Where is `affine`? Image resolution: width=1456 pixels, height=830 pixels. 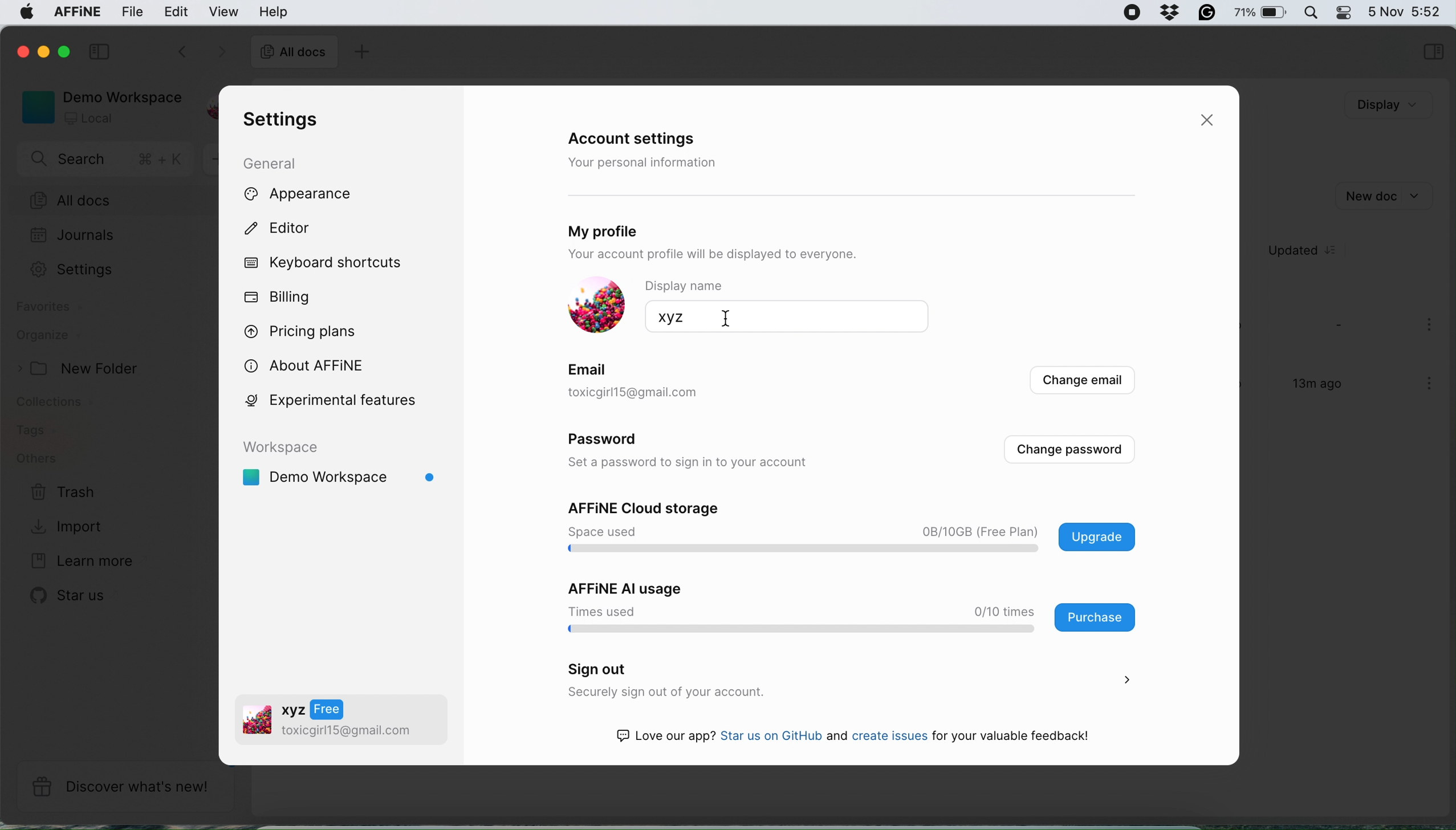
affine is located at coordinates (75, 14).